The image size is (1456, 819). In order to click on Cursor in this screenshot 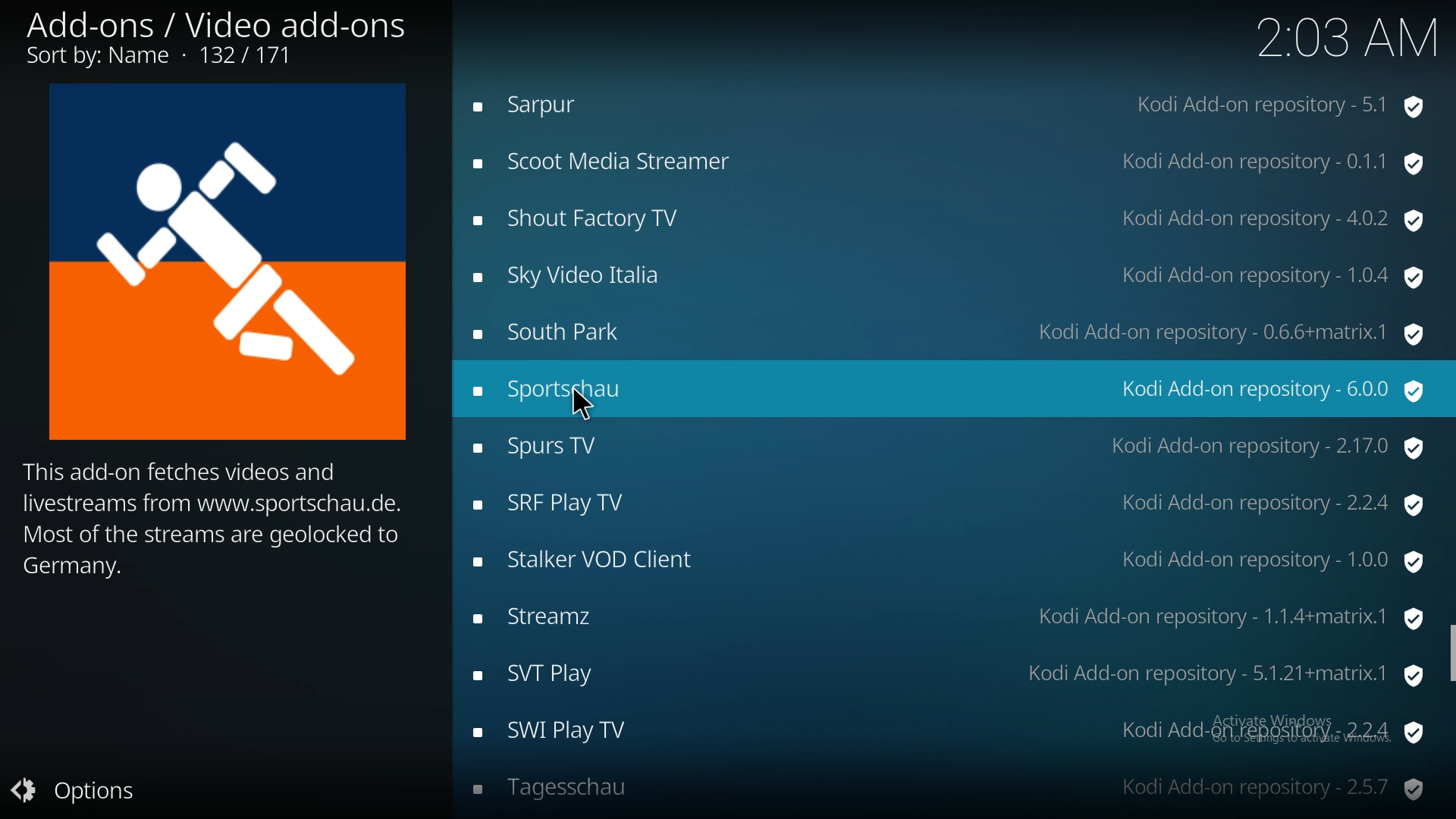, I will do `click(572, 405)`.